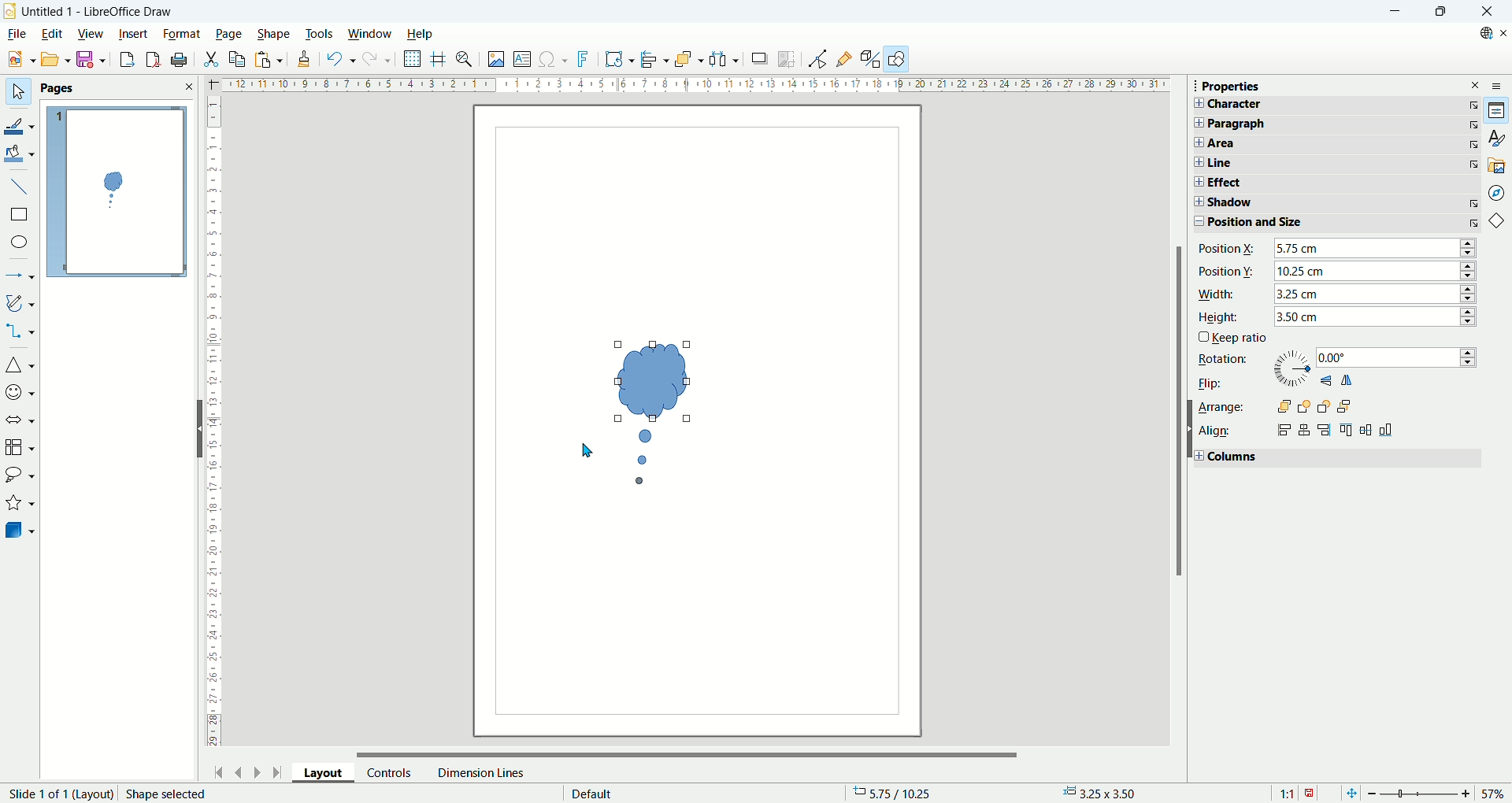  What do you see at coordinates (321, 32) in the screenshot?
I see `tools` at bounding box center [321, 32].